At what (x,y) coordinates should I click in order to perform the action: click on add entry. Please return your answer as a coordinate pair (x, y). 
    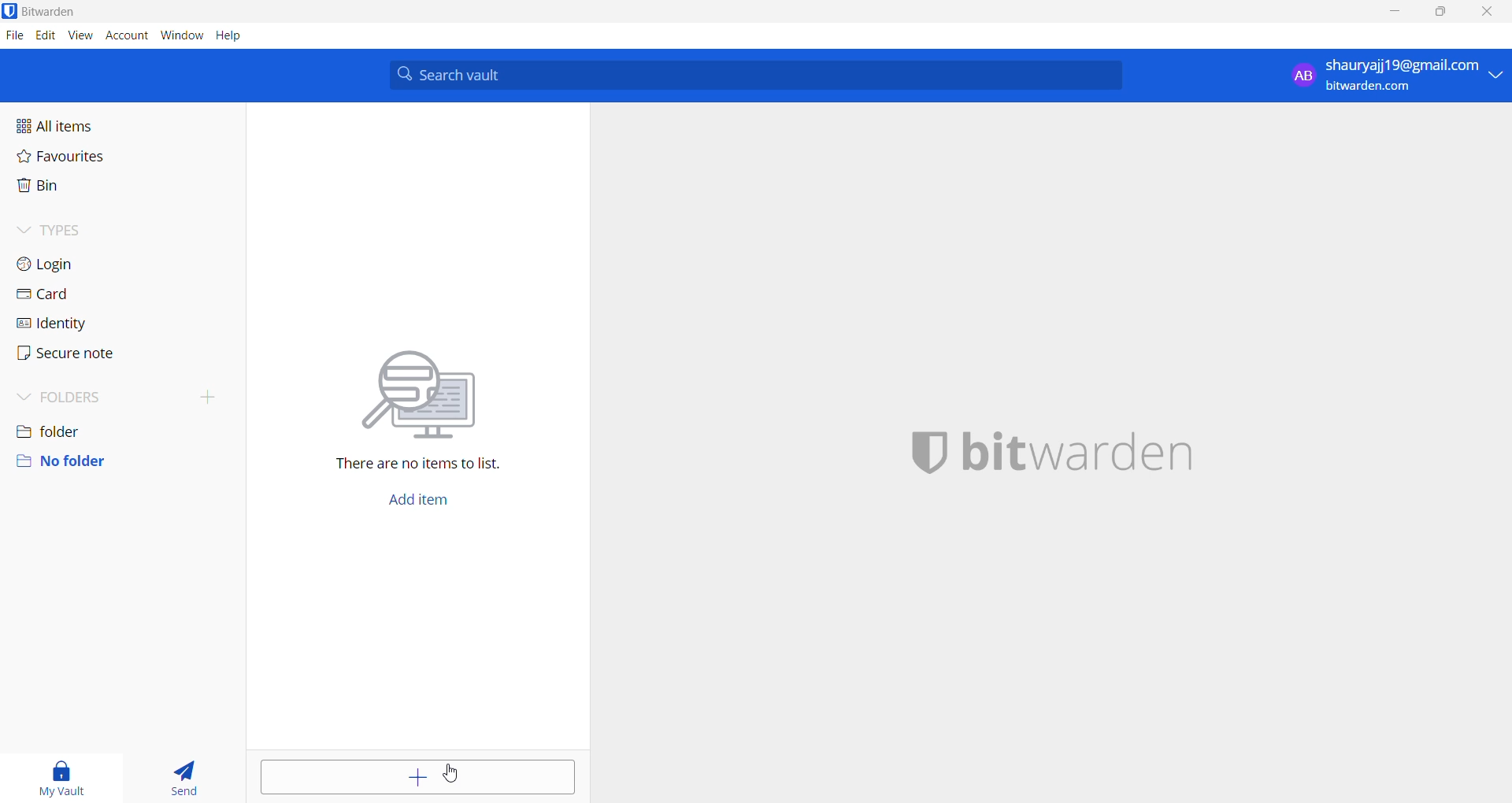
    Looking at the image, I should click on (417, 775).